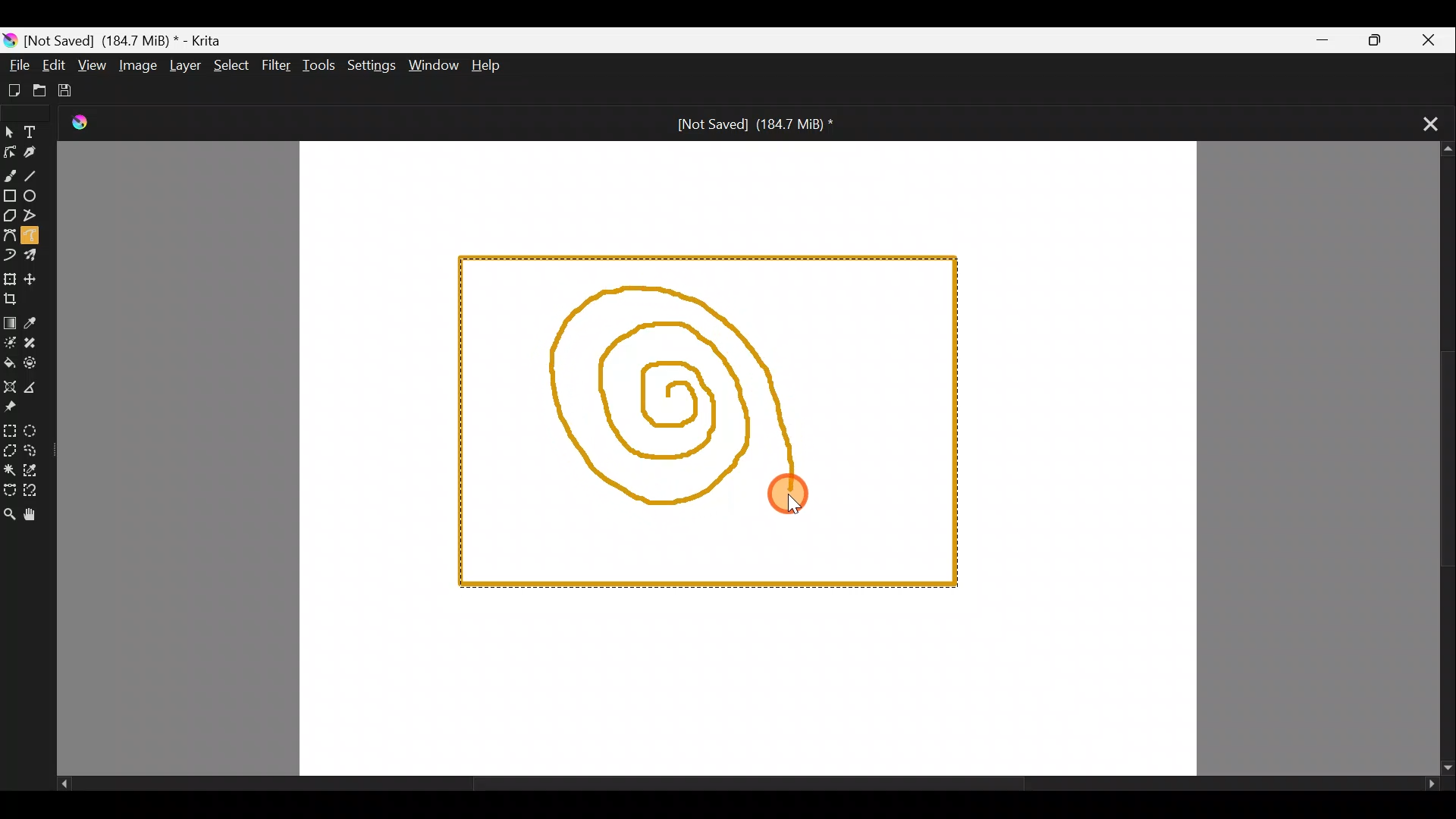 This screenshot has width=1456, height=819. What do you see at coordinates (9, 386) in the screenshot?
I see `Assistant tool` at bounding box center [9, 386].